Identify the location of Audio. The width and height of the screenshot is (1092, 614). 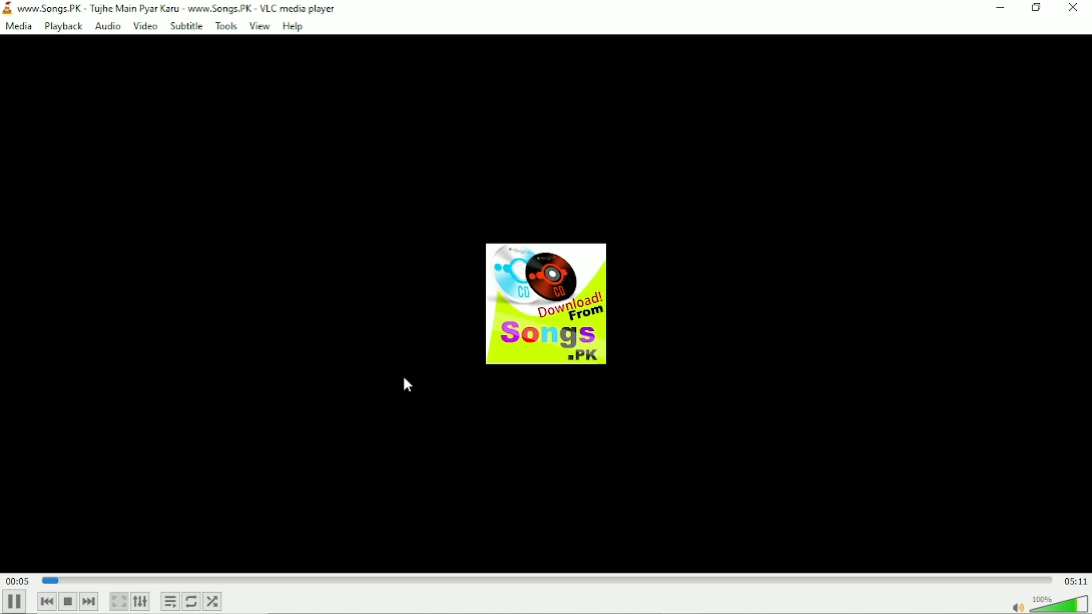
(107, 26).